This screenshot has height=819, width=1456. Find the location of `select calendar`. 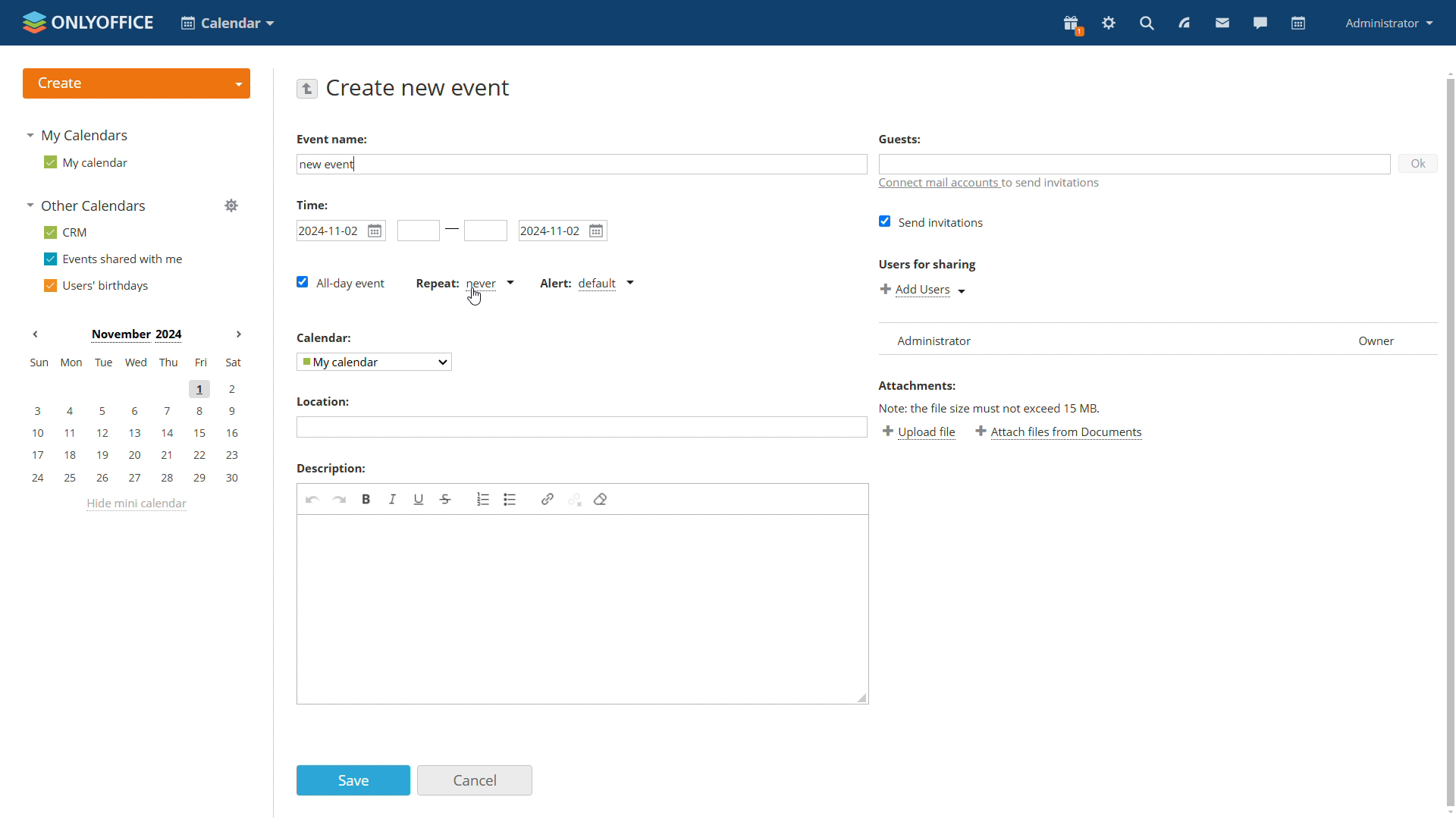

select calendar is located at coordinates (372, 361).